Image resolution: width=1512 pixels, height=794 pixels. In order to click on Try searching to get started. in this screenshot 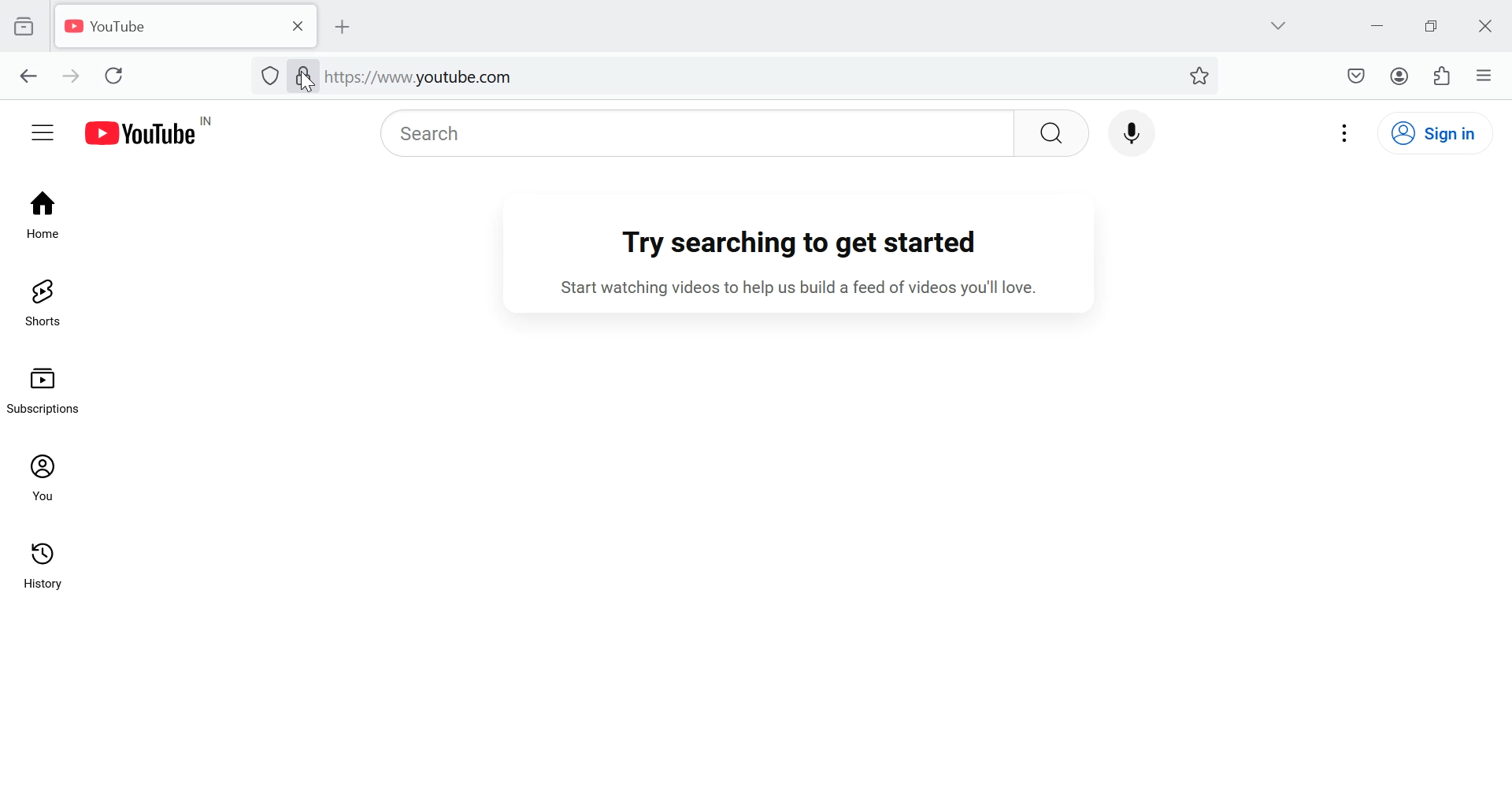, I will do `click(806, 244)`.